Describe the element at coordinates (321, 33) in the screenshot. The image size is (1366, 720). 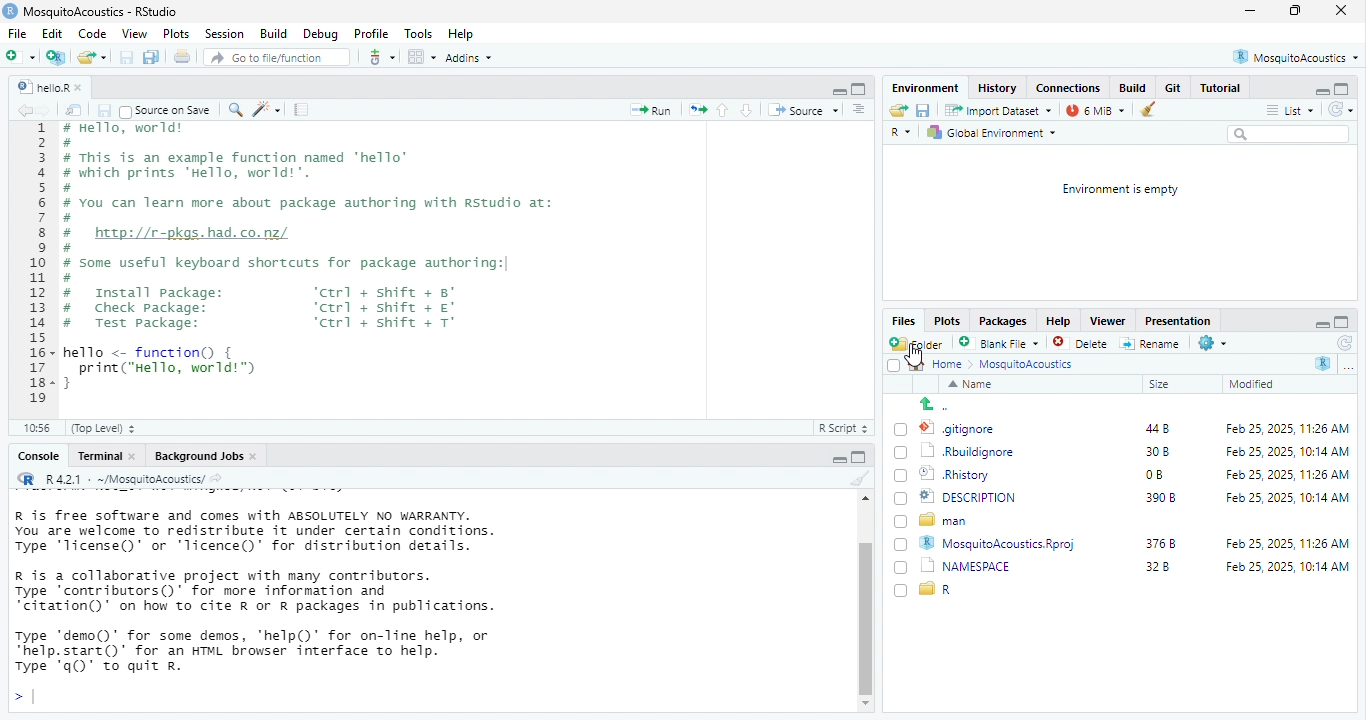
I see `Debug` at that location.